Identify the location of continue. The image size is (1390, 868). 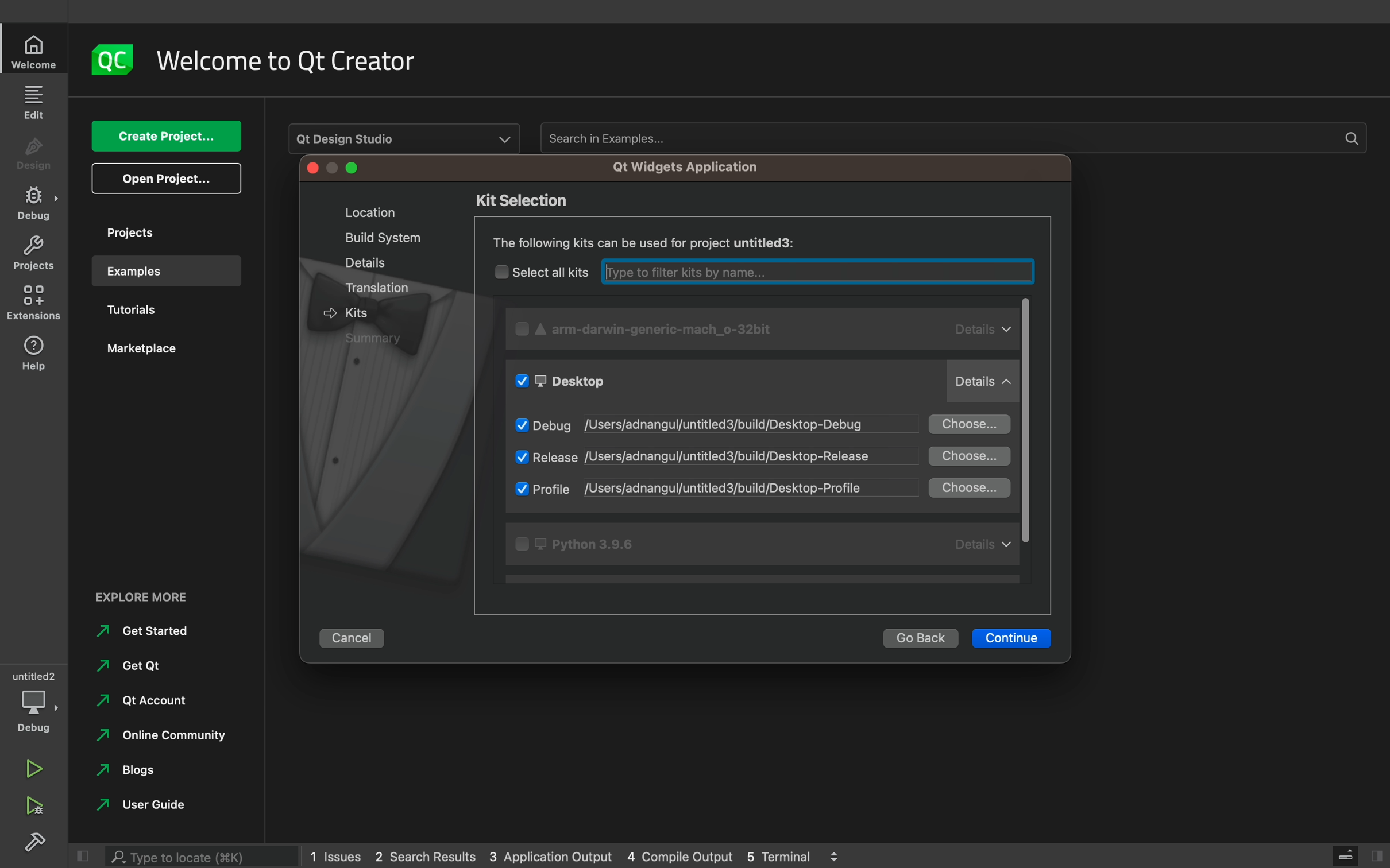
(1013, 638).